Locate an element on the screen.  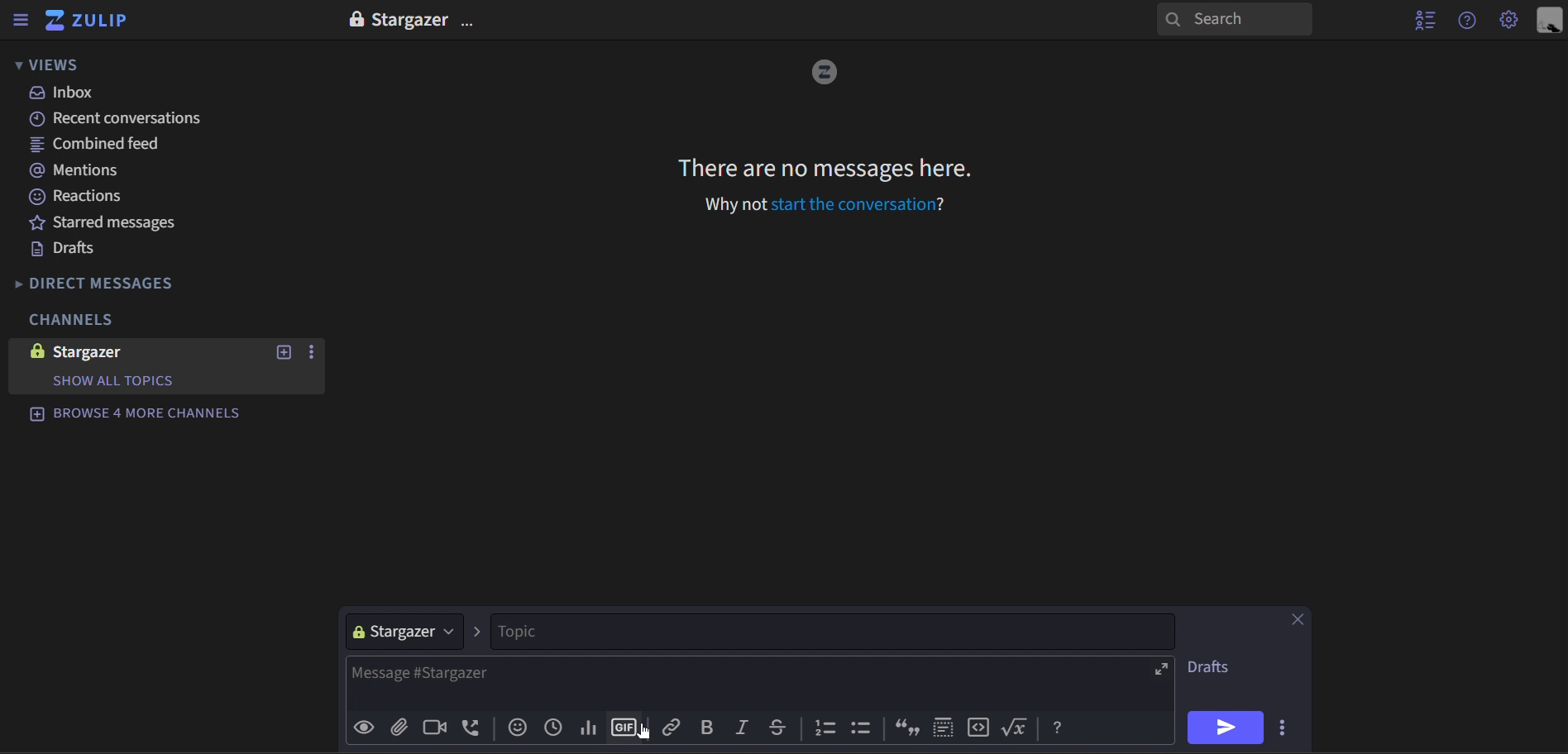
options is located at coordinates (309, 353).